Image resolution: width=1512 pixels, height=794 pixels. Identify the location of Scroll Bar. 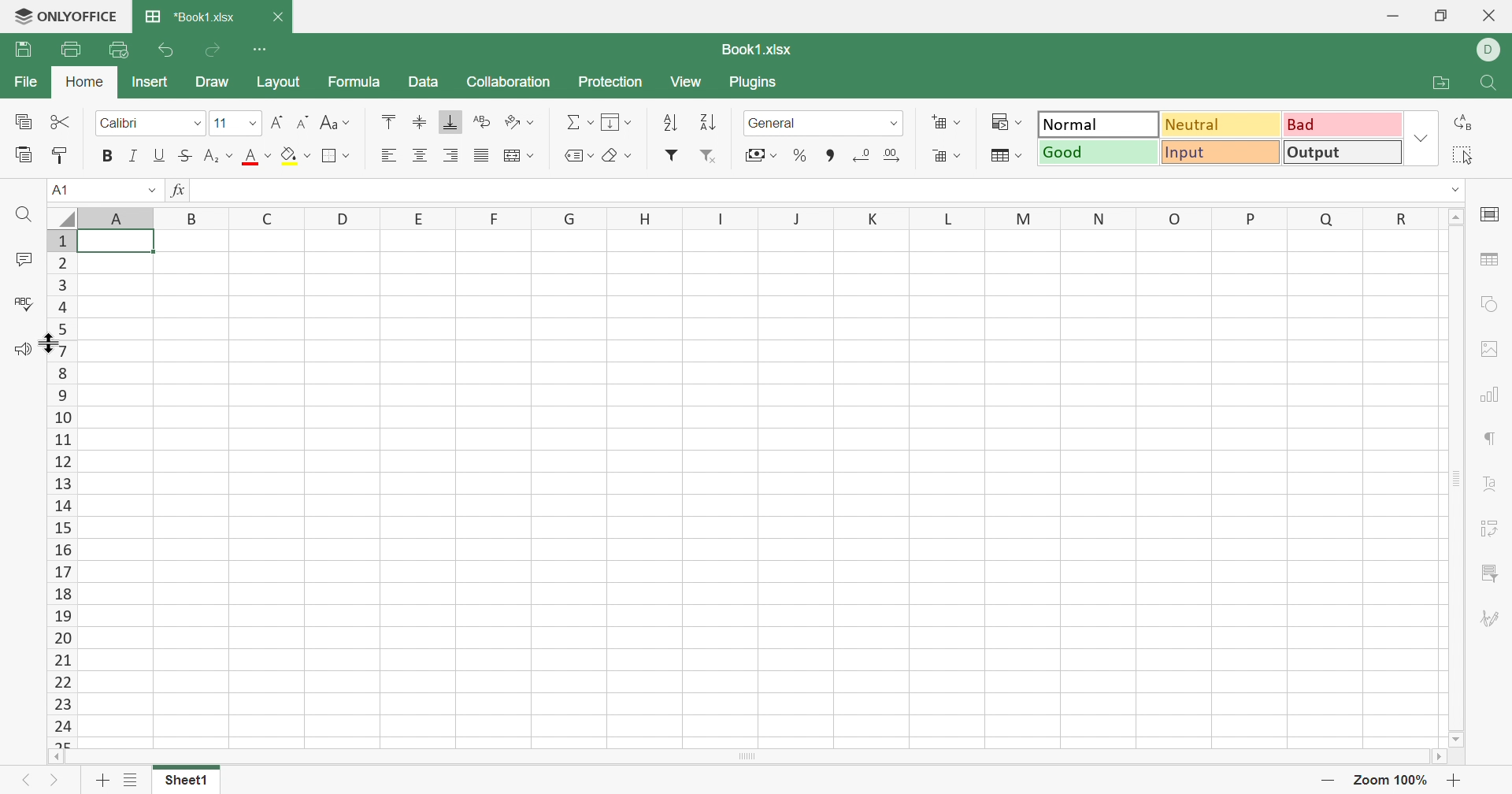
(746, 758).